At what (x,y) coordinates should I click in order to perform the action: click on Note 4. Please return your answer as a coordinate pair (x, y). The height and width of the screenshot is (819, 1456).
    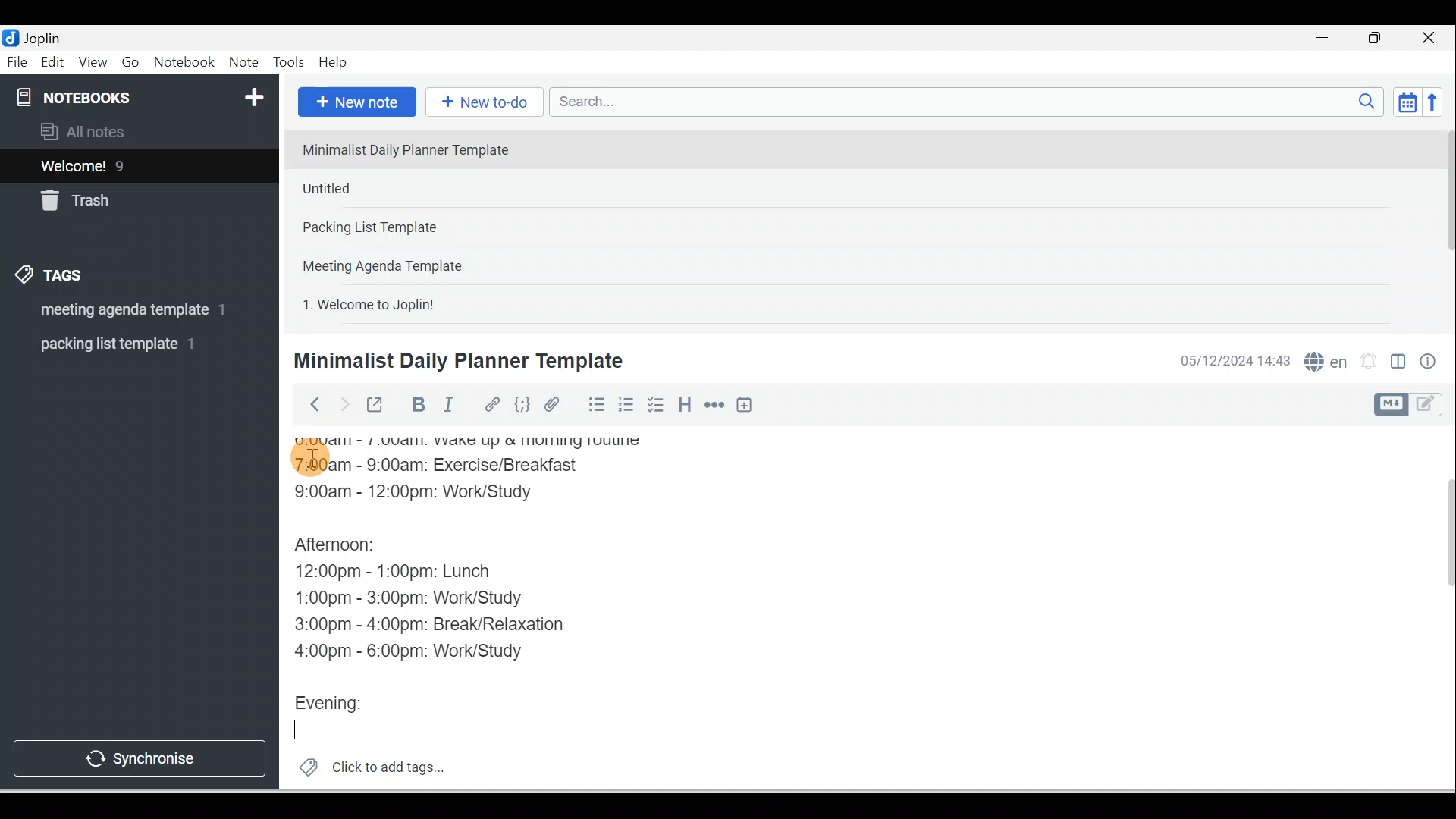
    Looking at the image, I should click on (403, 262).